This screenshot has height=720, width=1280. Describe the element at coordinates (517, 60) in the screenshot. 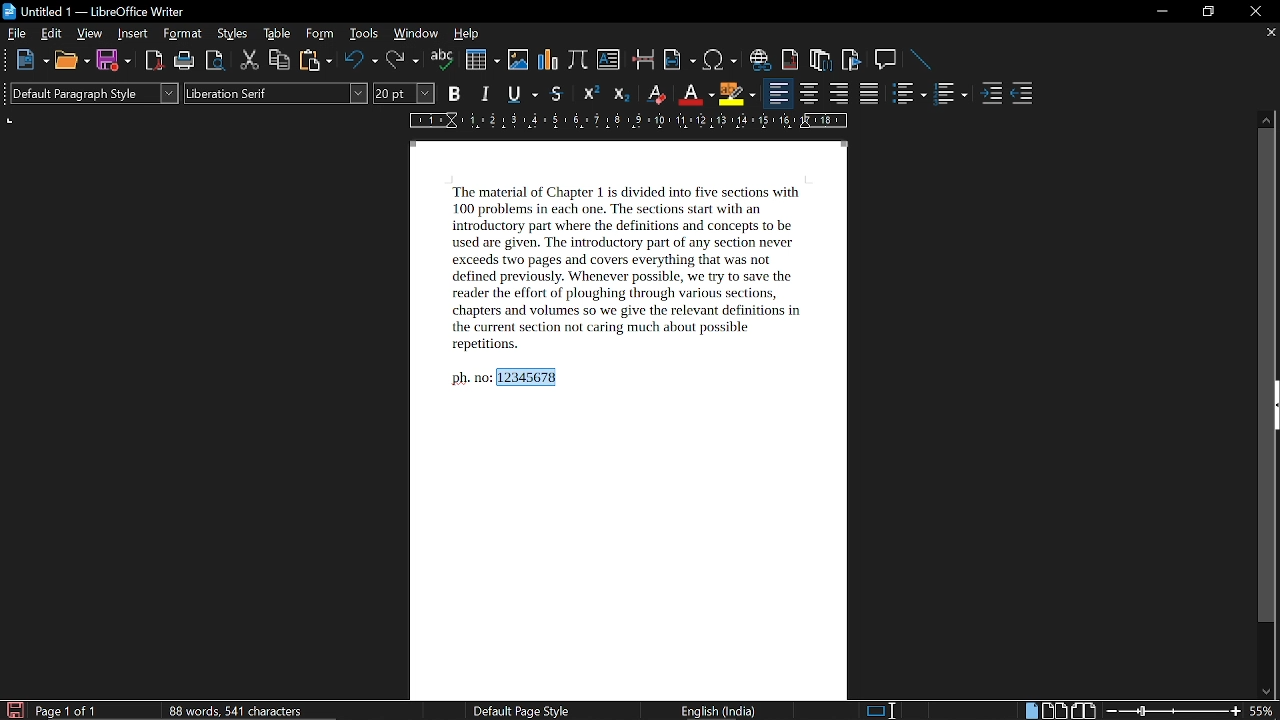

I see `insert image` at that location.